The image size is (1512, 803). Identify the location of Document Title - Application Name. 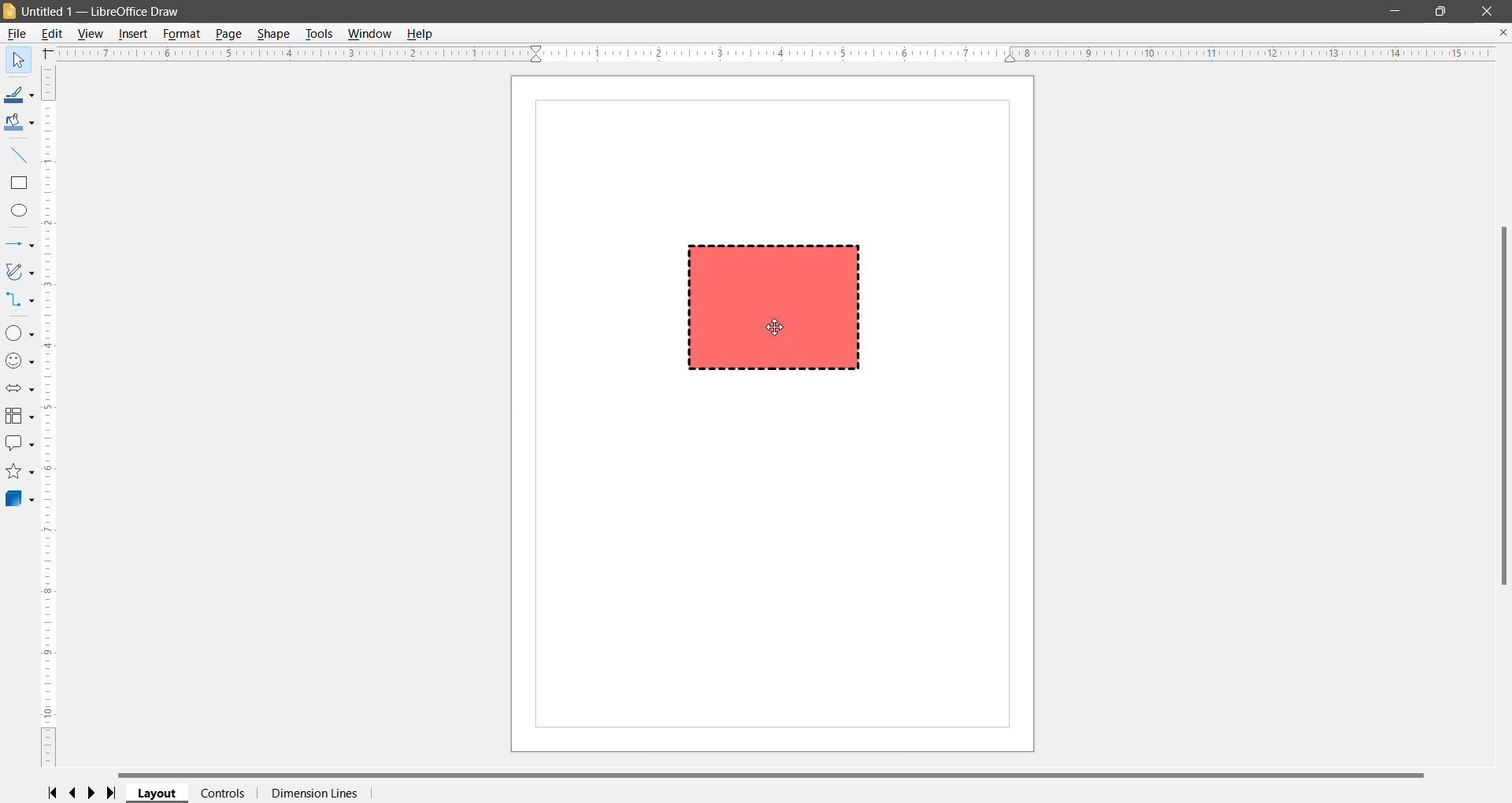
(108, 12).